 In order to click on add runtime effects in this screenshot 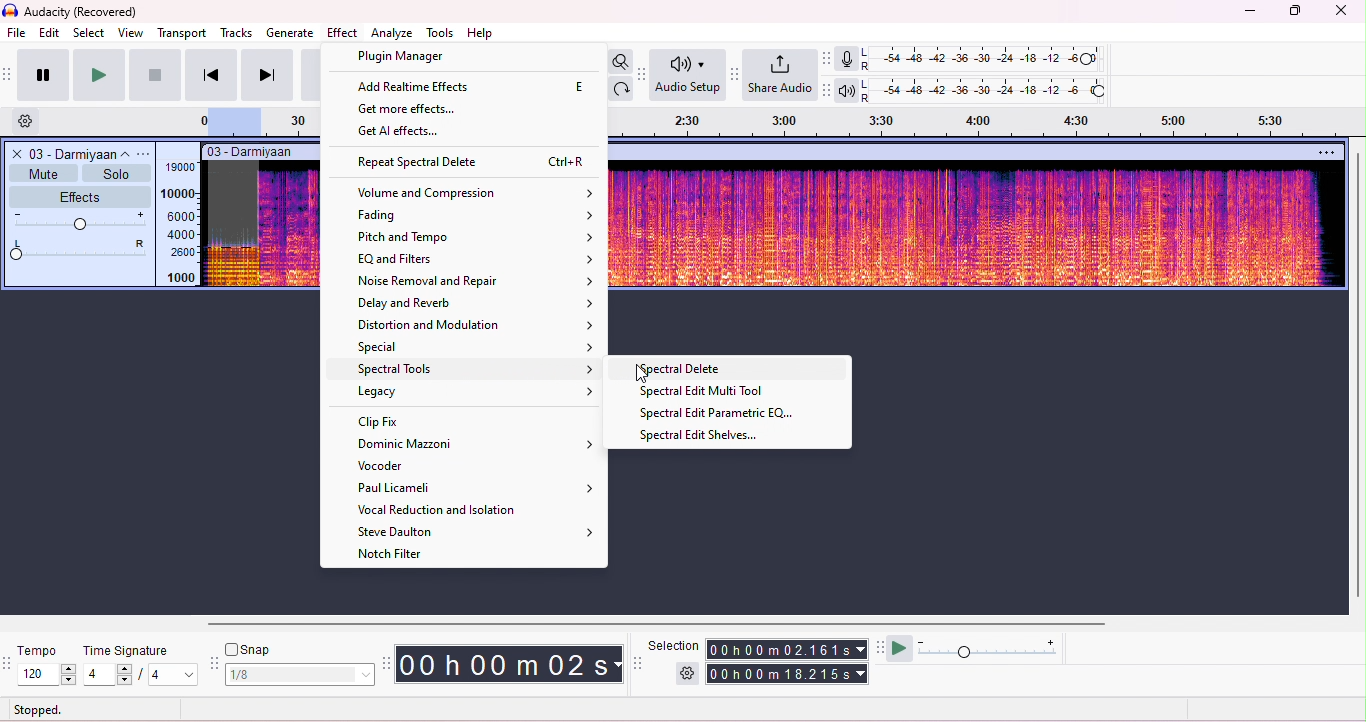, I will do `click(461, 136)`.